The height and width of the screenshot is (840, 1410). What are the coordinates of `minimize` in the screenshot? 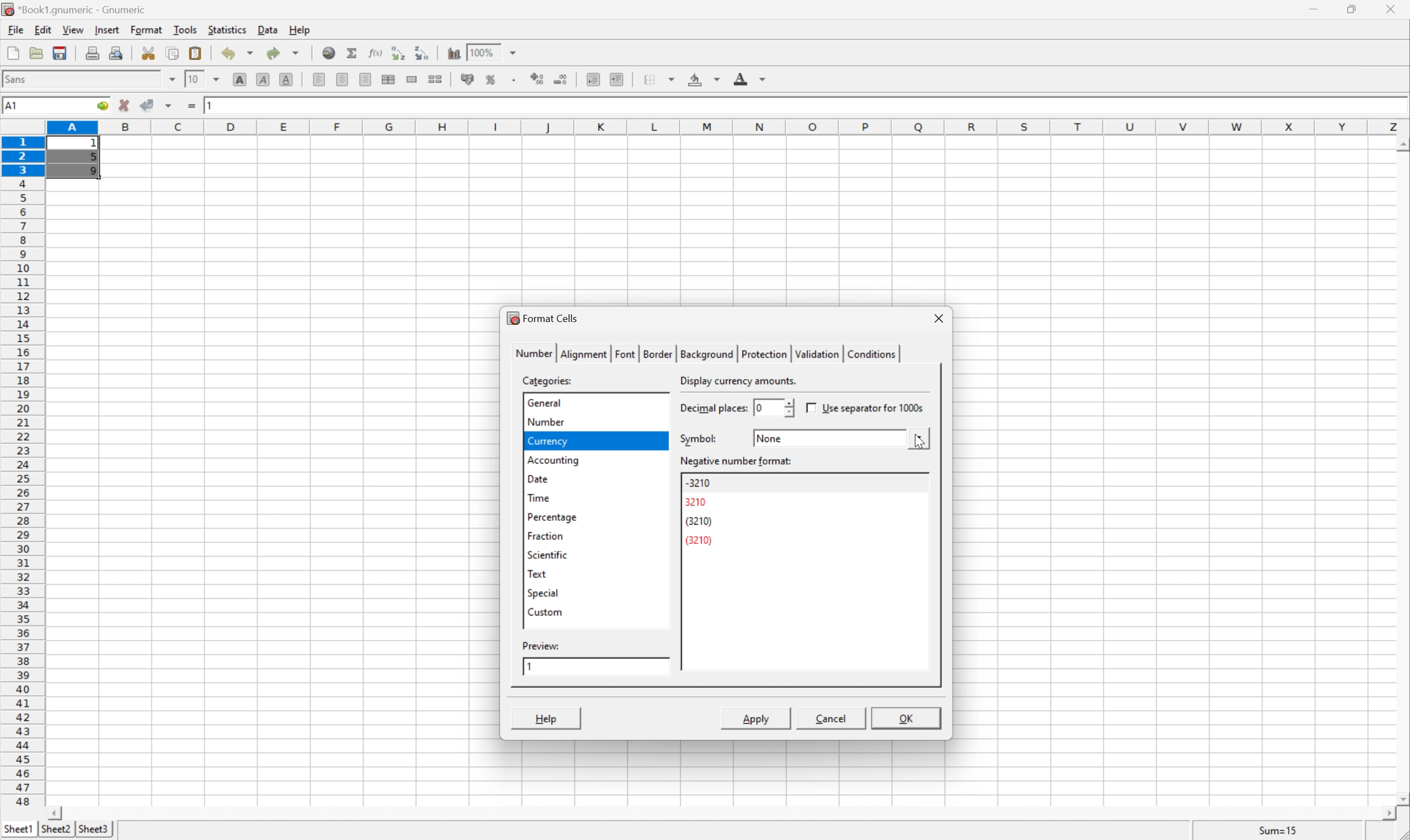 It's located at (1316, 7).